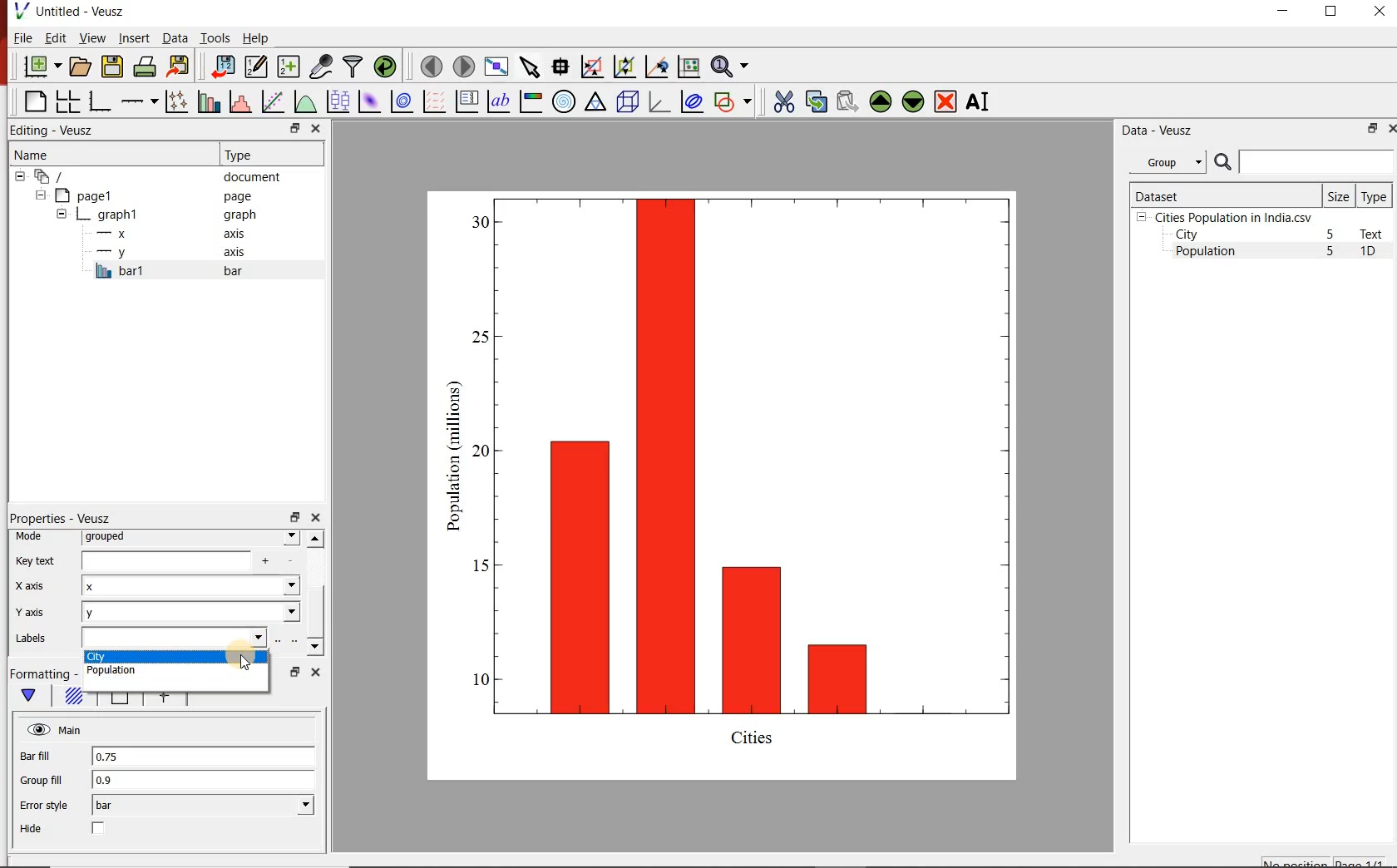 This screenshot has height=868, width=1397. I want to click on bar1, so click(186, 271).